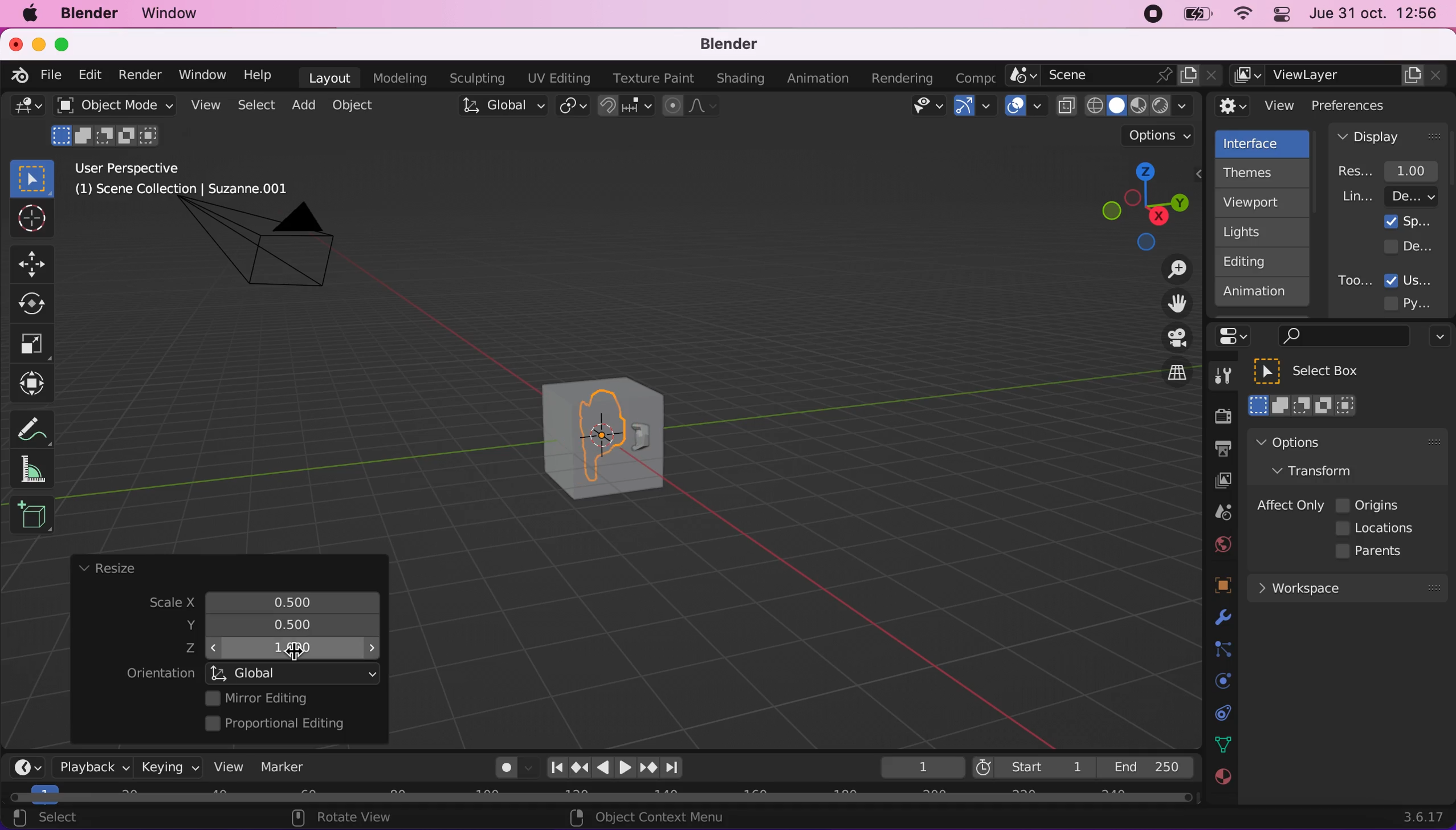  I want to click on proportional editing objects, so click(692, 107).